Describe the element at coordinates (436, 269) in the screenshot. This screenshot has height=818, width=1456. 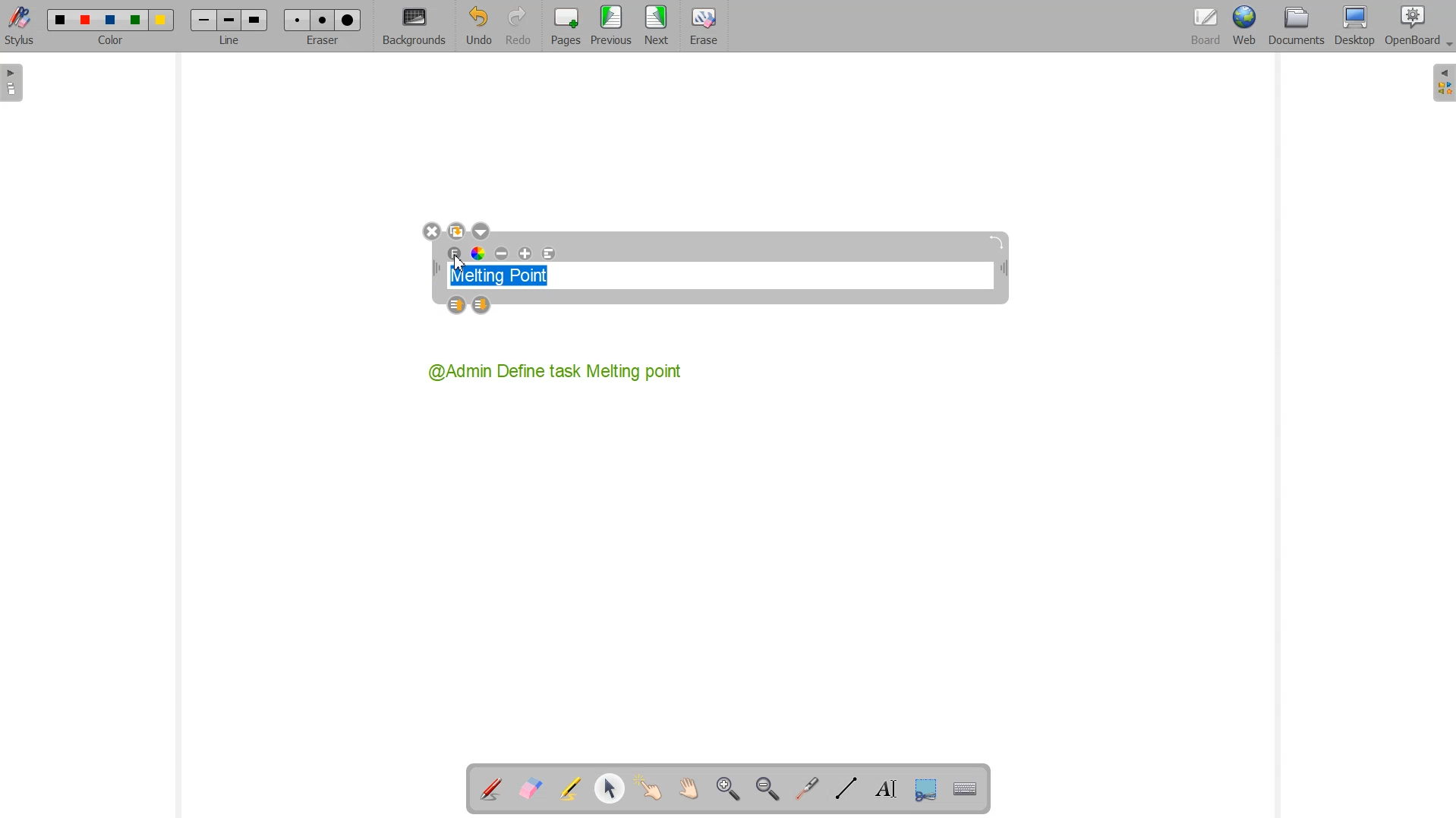
I see `Text box width adjuster` at that location.